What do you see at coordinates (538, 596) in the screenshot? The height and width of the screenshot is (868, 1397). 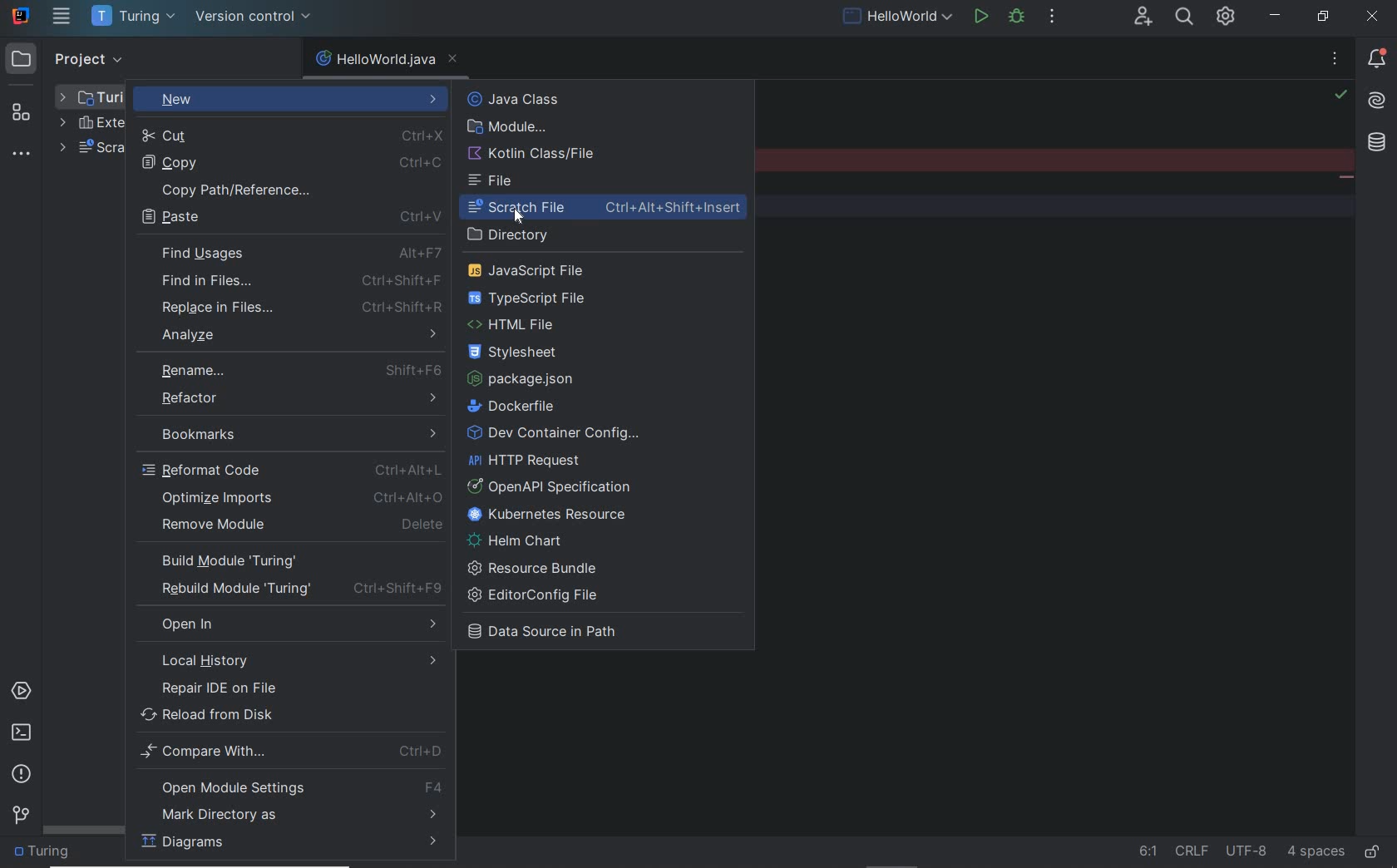 I see `editorconfig file` at bounding box center [538, 596].